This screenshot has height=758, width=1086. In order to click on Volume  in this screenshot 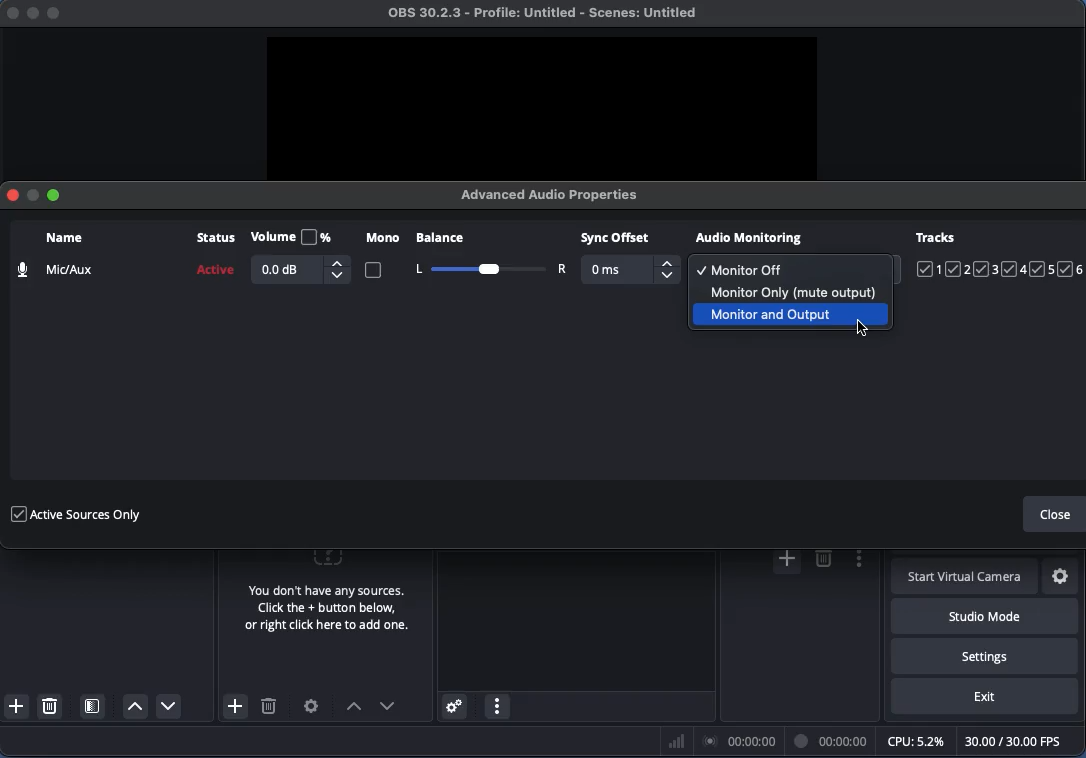, I will do `click(299, 256)`.